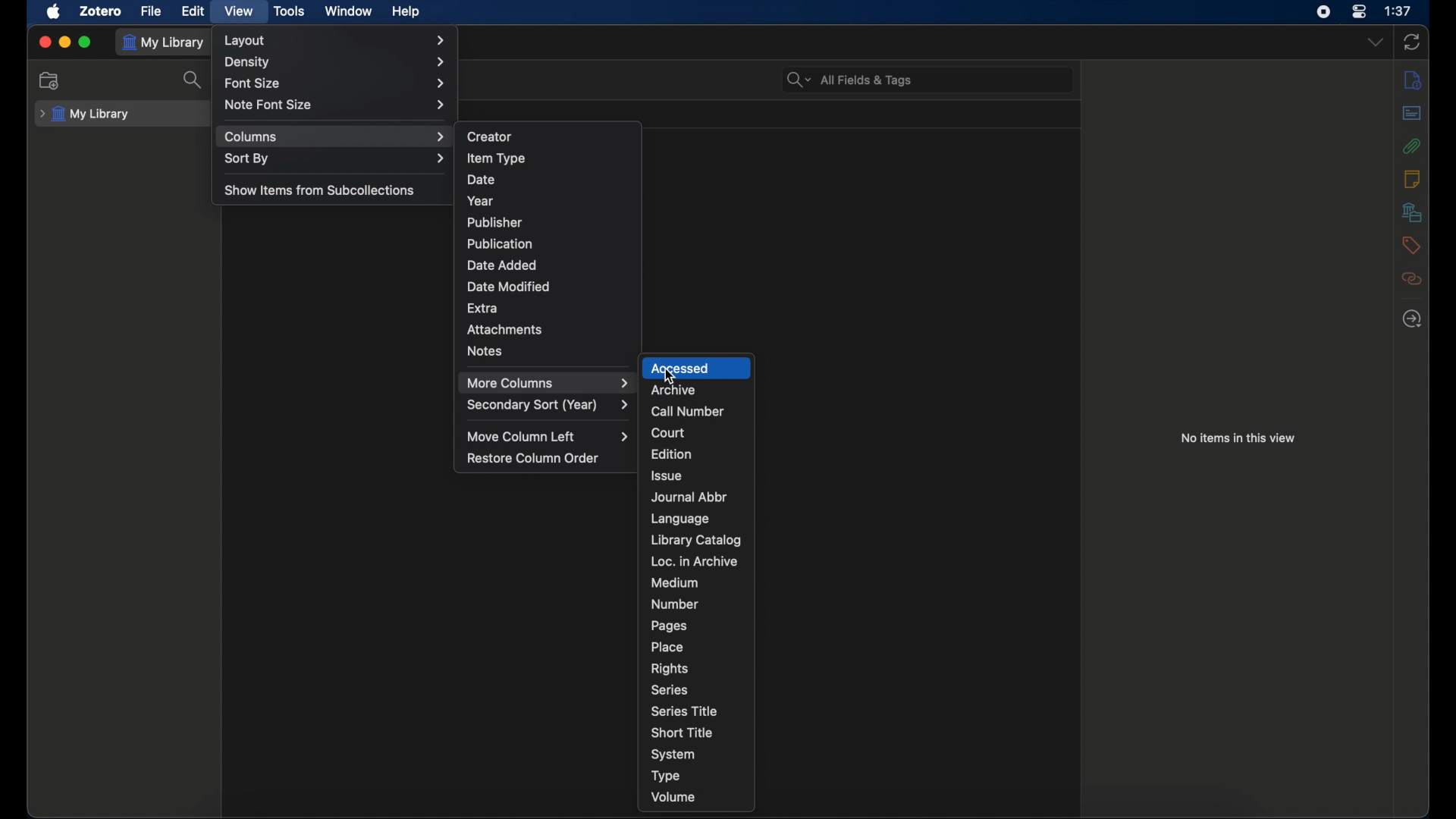 The height and width of the screenshot is (819, 1456). What do you see at coordinates (534, 458) in the screenshot?
I see `restore column order` at bounding box center [534, 458].